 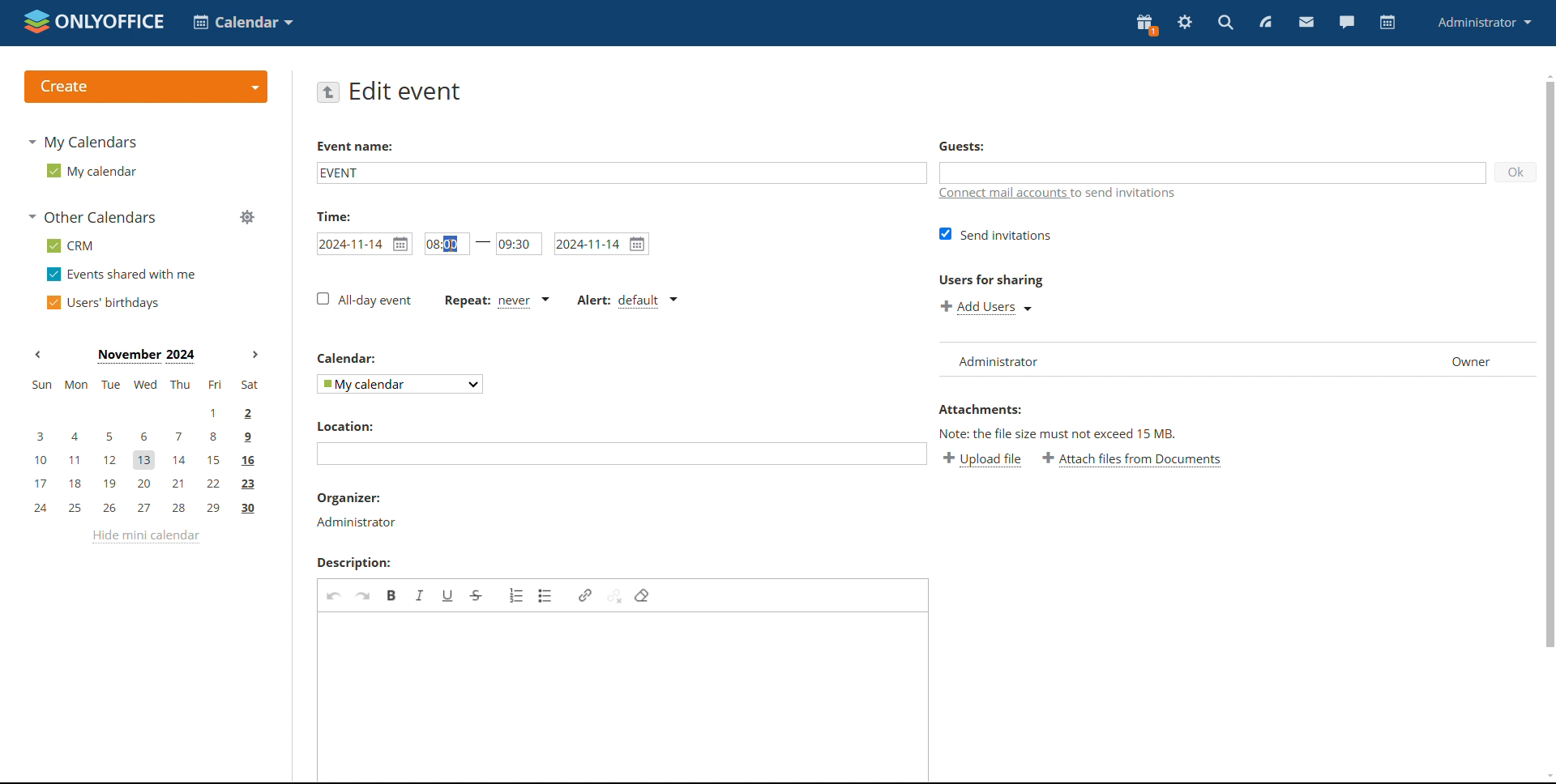 I want to click on insert/remove numbered list, so click(x=516, y=594).